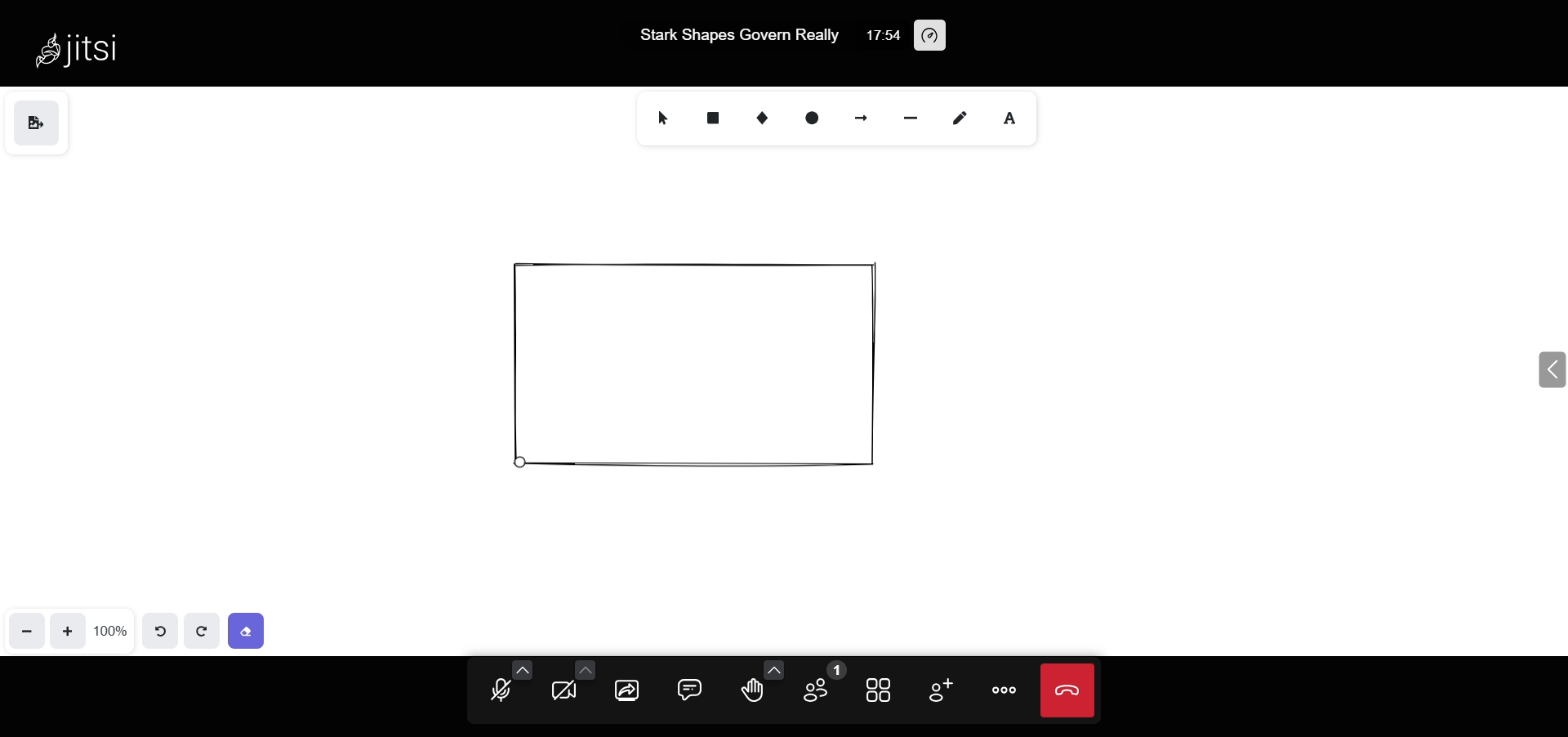  I want to click on participant, so click(819, 683).